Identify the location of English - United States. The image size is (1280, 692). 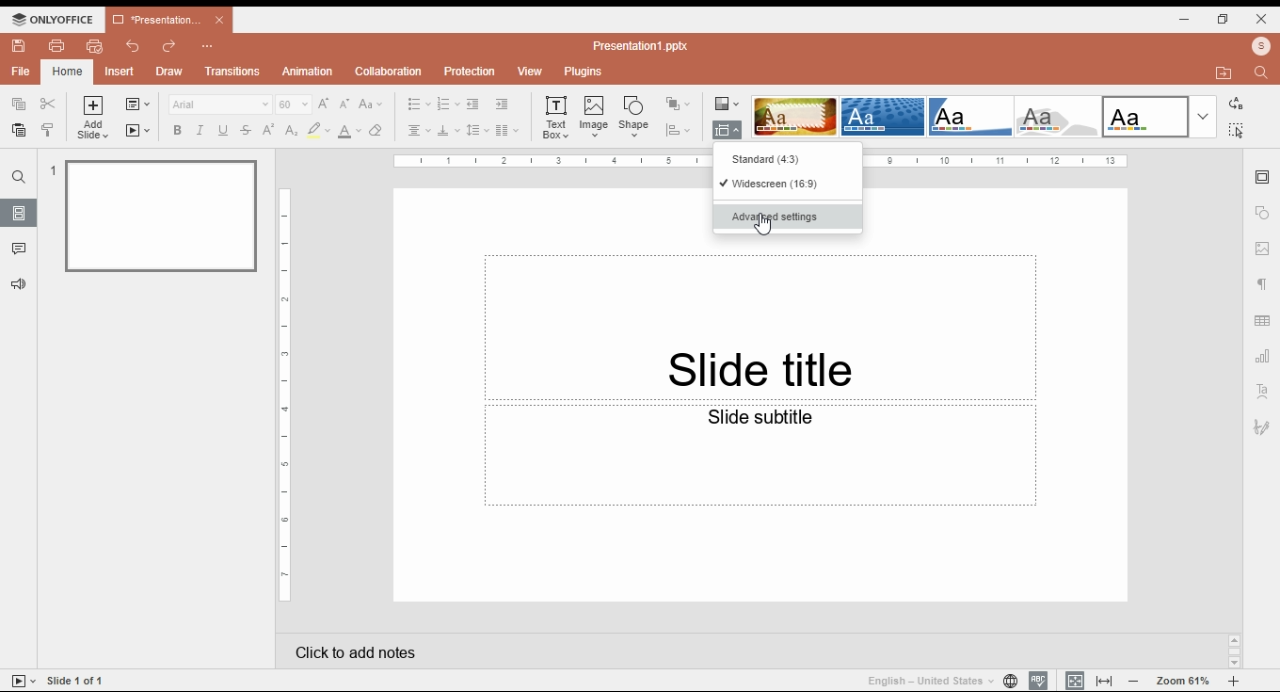
(923, 680).